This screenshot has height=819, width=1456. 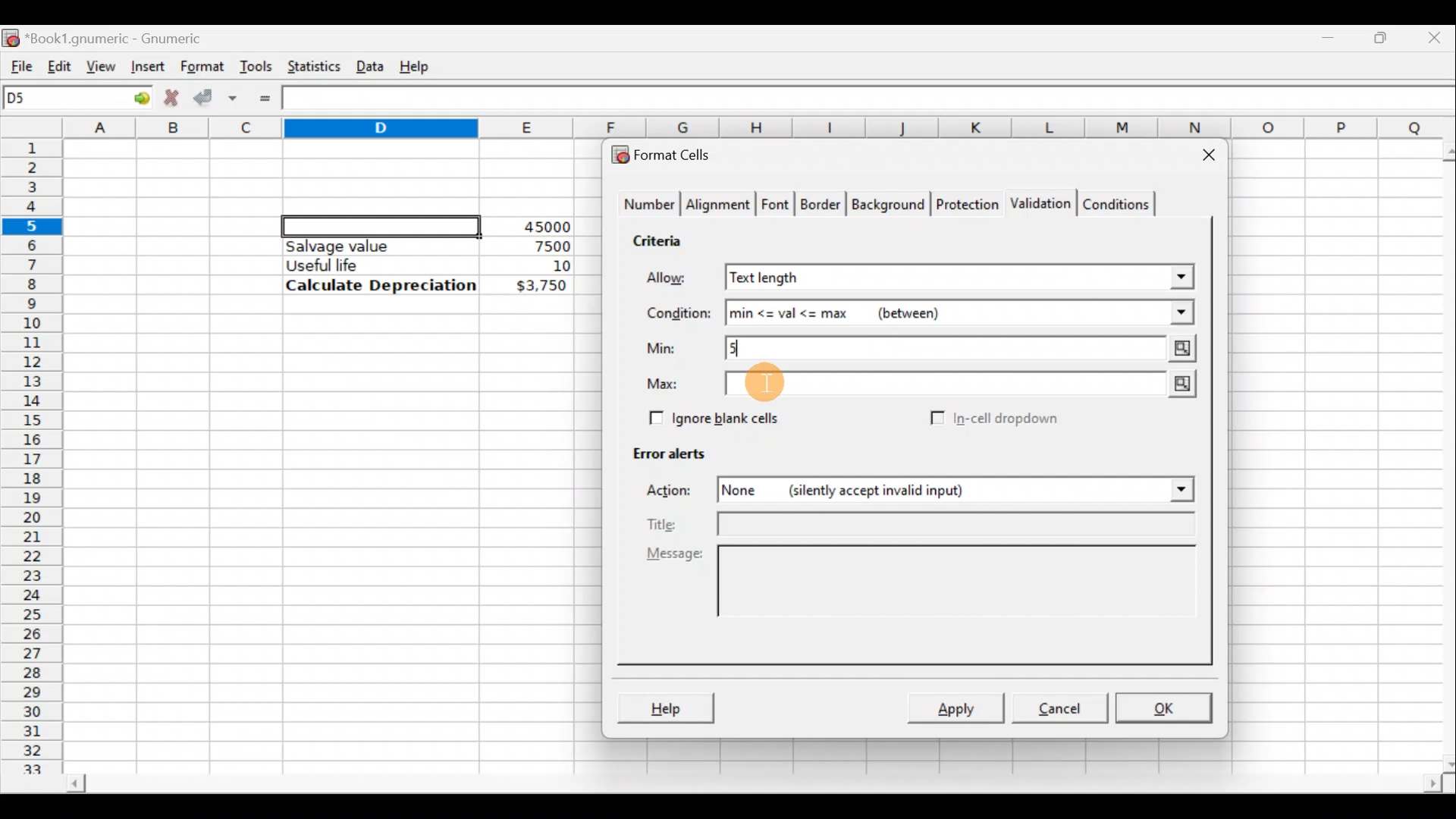 What do you see at coordinates (256, 65) in the screenshot?
I see `Tools` at bounding box center [256, 65].